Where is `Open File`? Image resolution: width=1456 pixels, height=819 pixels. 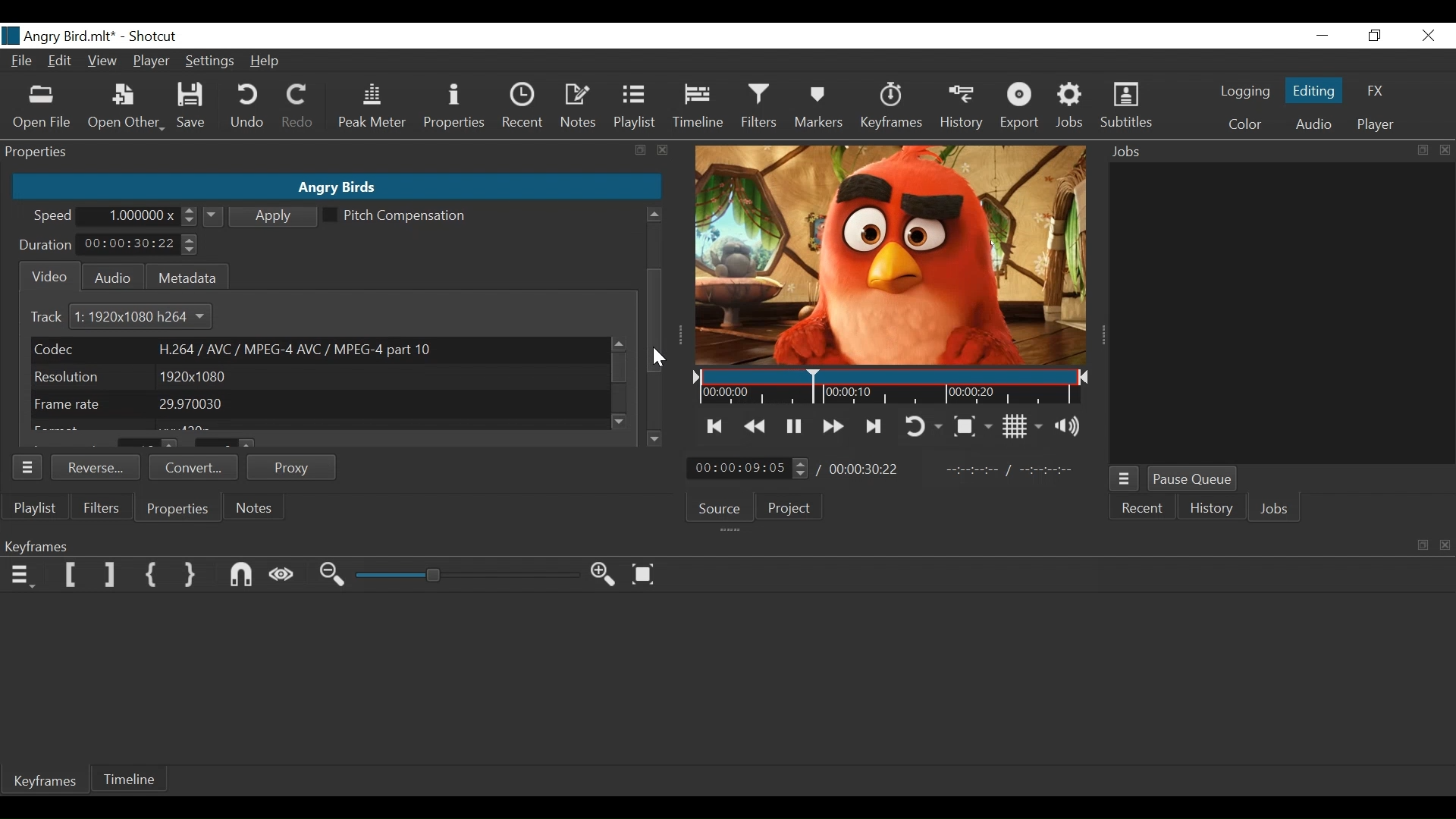
Open File is located at coordinates (40, 108).